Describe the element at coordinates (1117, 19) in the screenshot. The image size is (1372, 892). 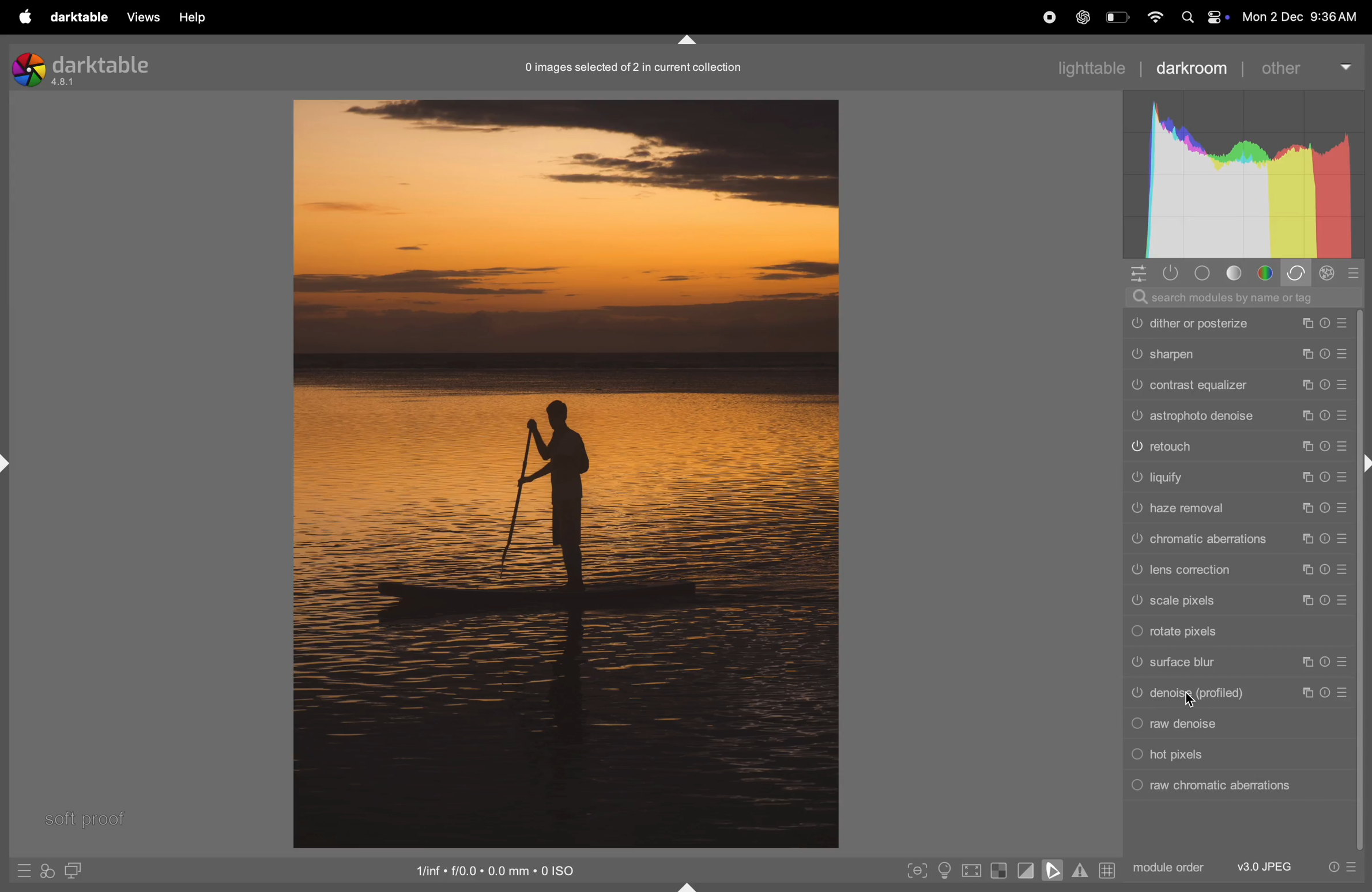
I see `battery` at that location.